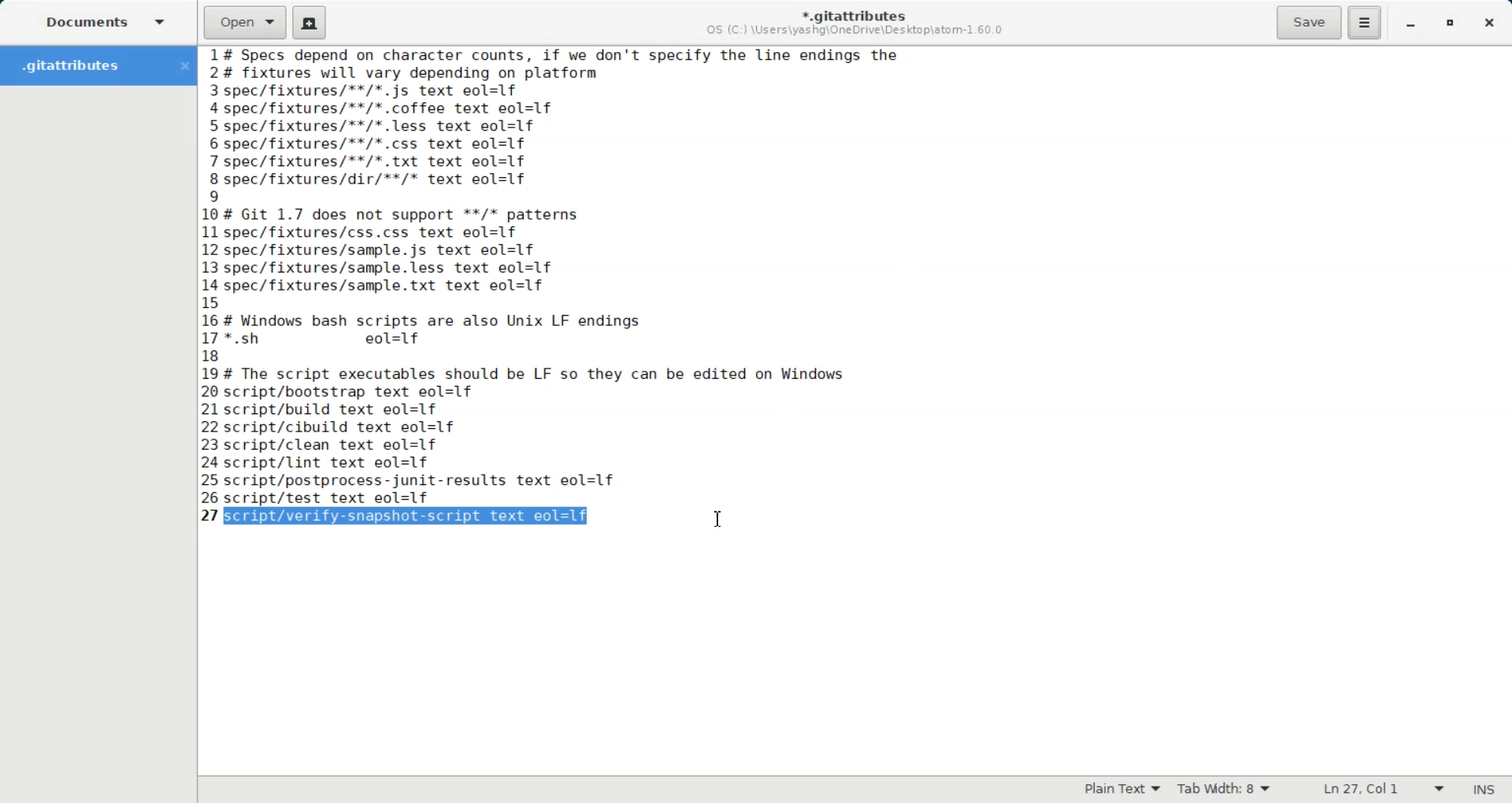 The width and height of the screenshot is (1512, 803). What do you see at coordinates (858, 31) in the screenshot?
I see `OS (C:) \Users\yashg\OneDrive\Desktop\atom-1.60.0` at bounding box center [858, 31].